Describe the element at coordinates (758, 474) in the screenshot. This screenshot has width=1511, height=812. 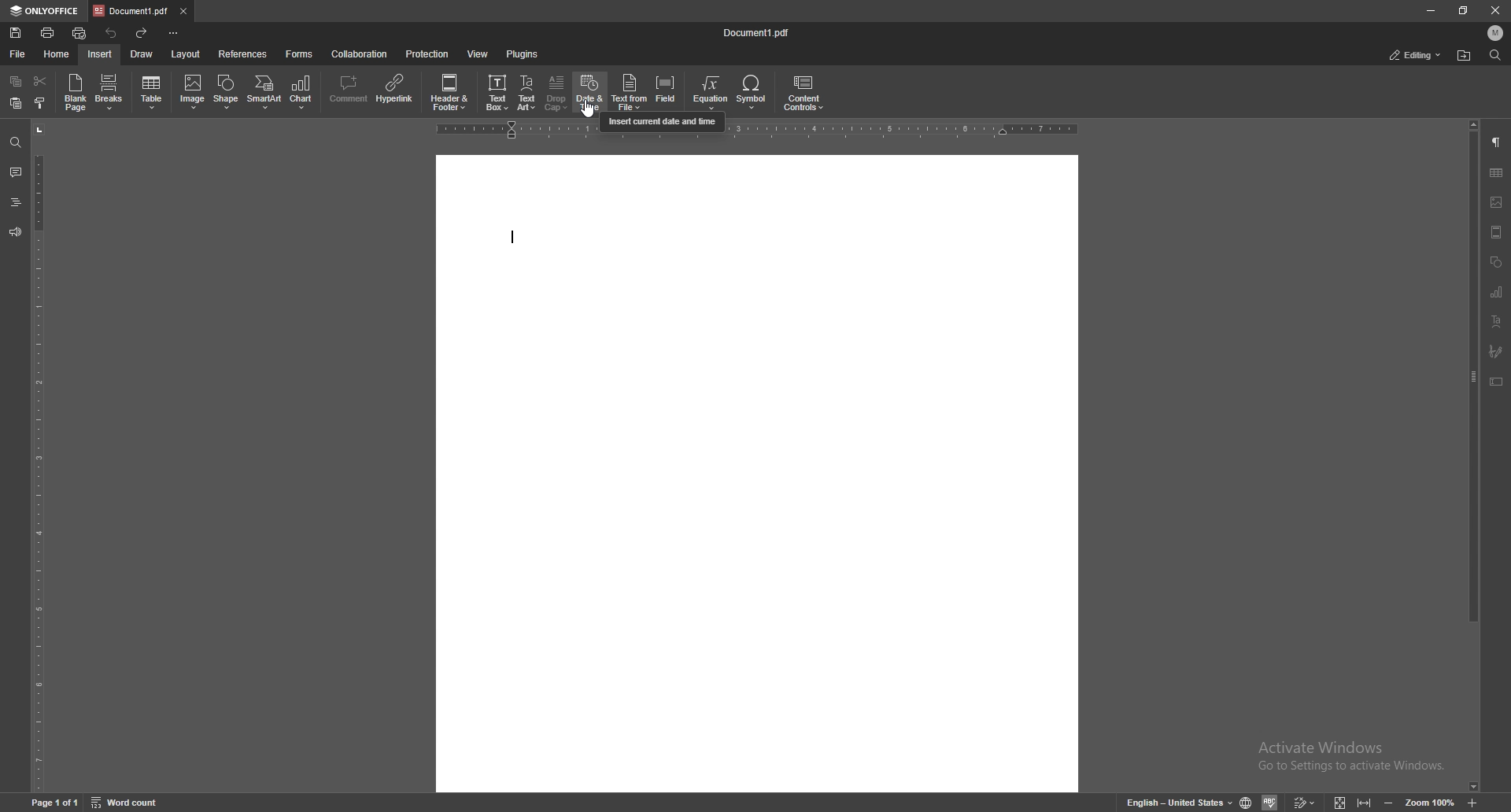
I see `document ` at that location.